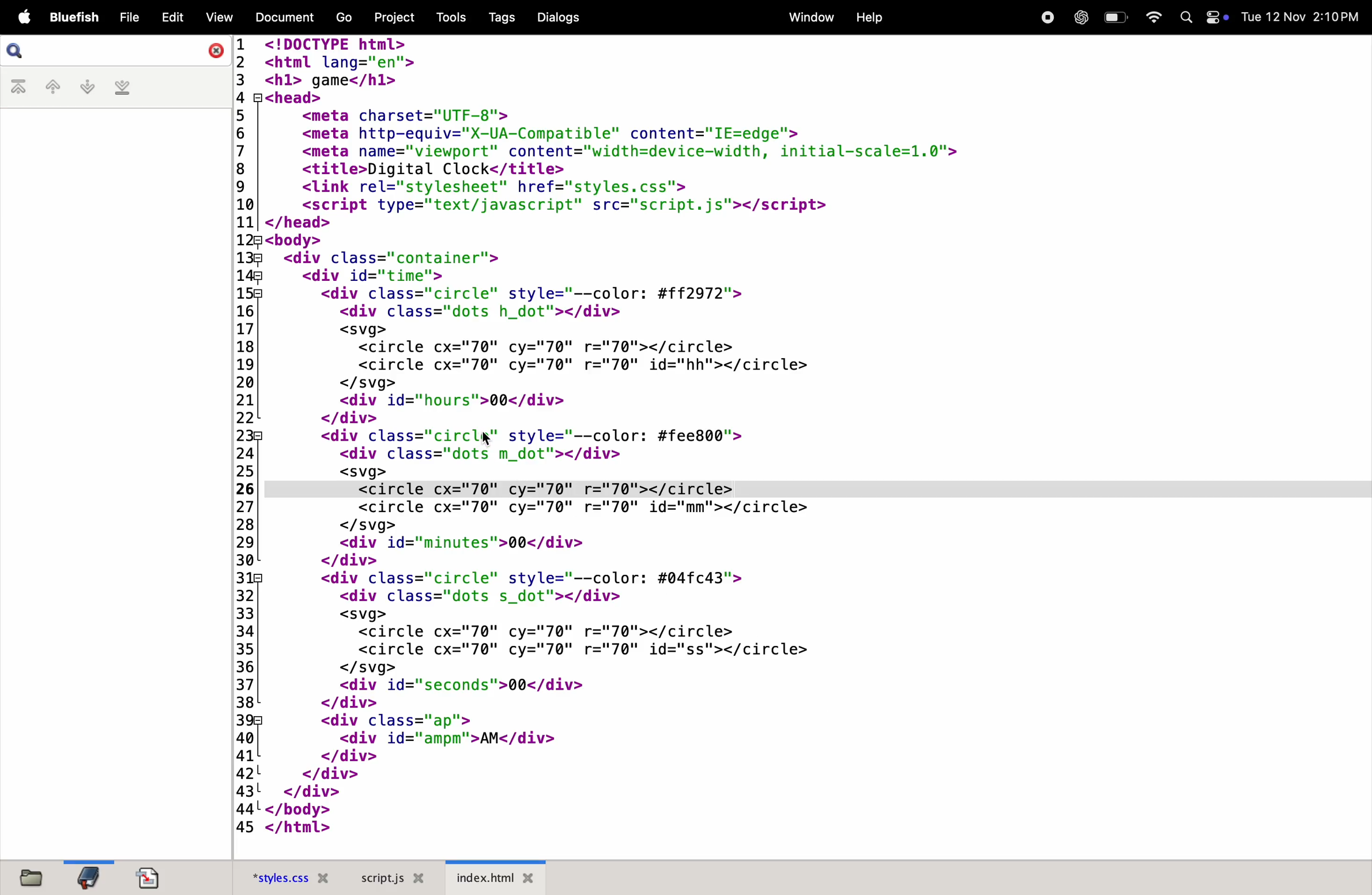  What do you see at coordinates (486, 437) in the screenshot?
I see `Cursor` at bounding box center [486, 437].